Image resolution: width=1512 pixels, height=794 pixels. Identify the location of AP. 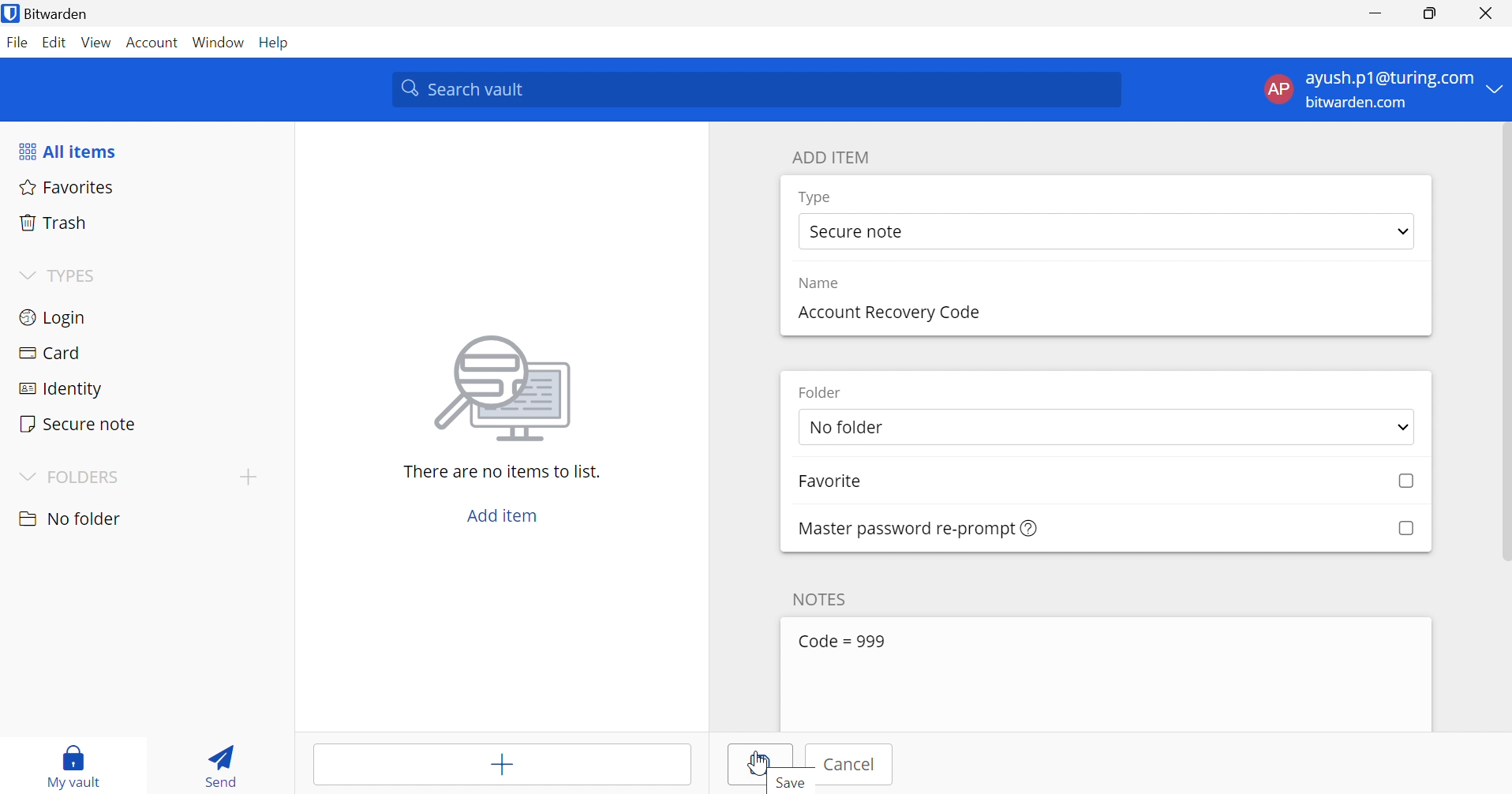
(1276, 88).